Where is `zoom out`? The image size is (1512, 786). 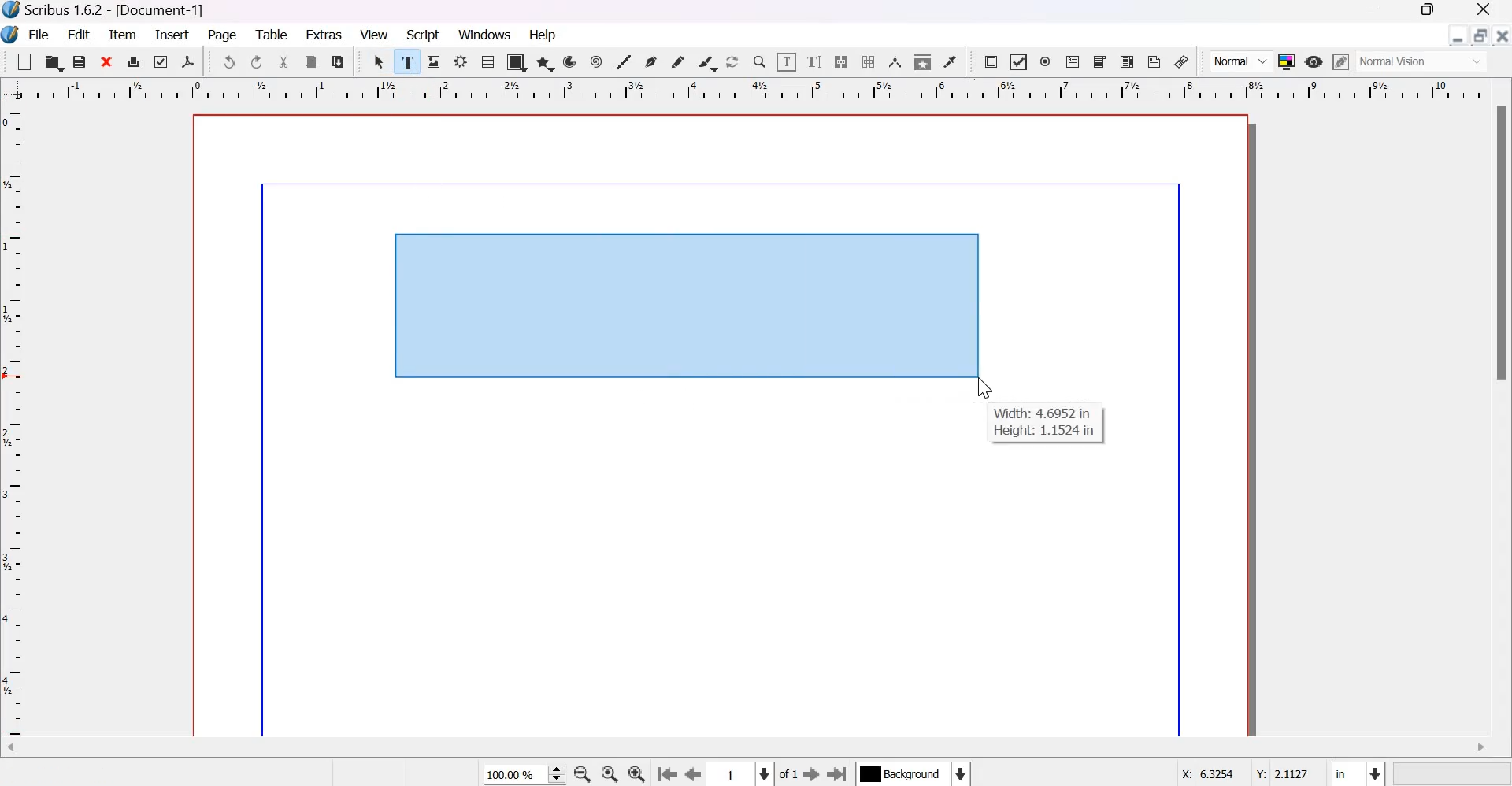 zoom out is located at coordinates (582, 774).